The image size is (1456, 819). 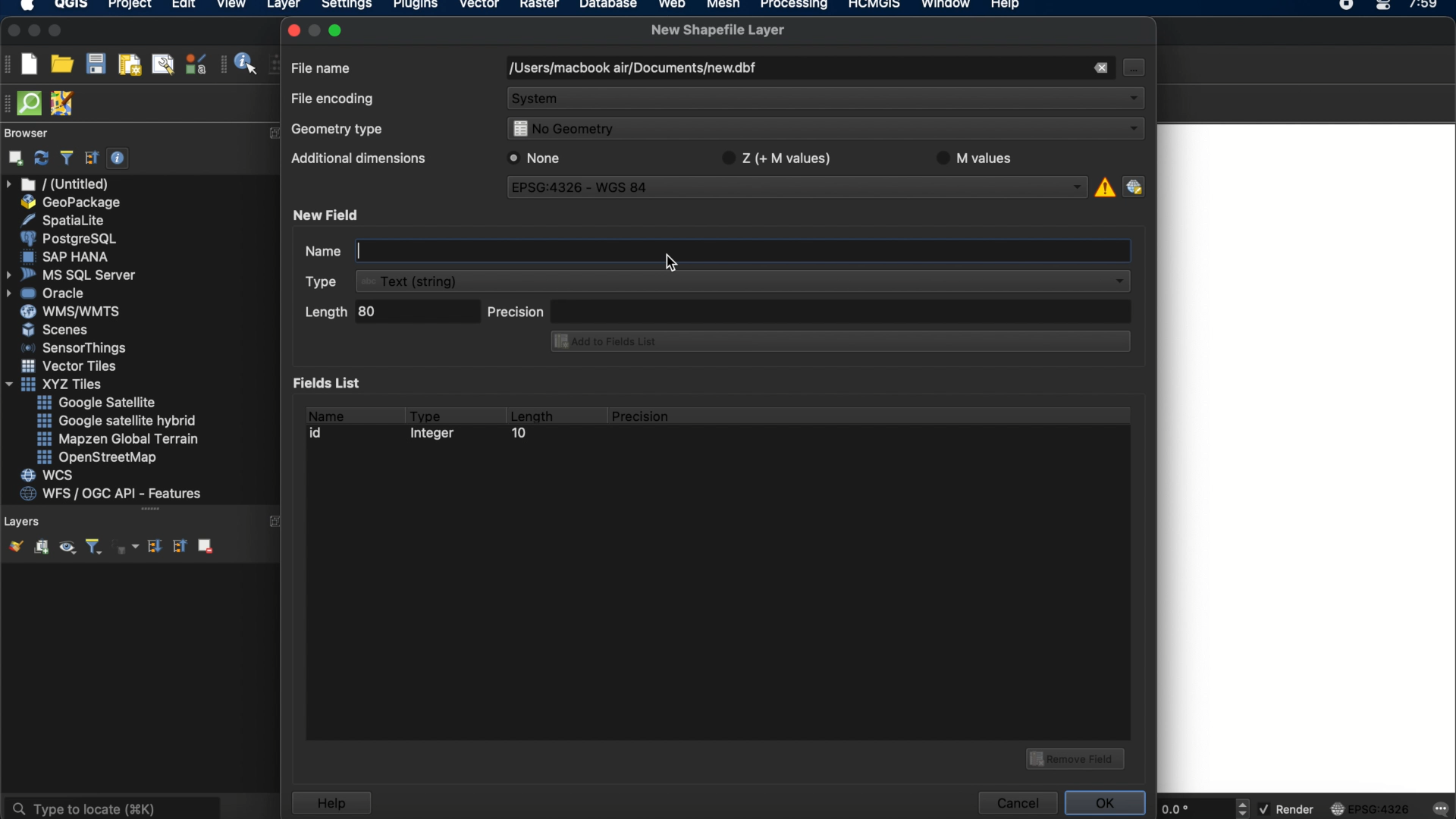 What do you see at coordinates (64, 104) in the screenshot?
I see `JOSM remote` at bounding box center [64, 104].